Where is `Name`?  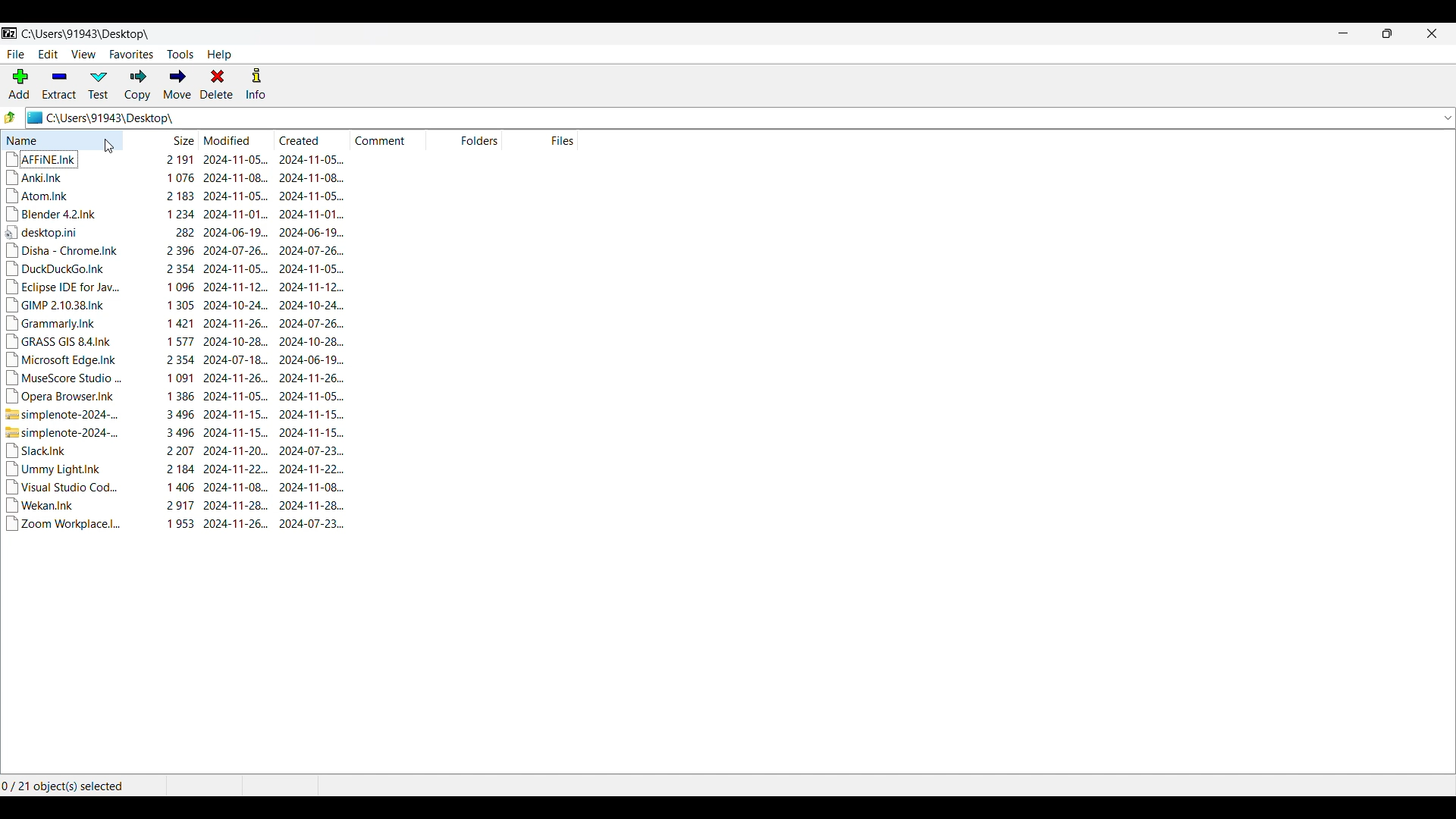
Name is located at coordinates (62, 140).